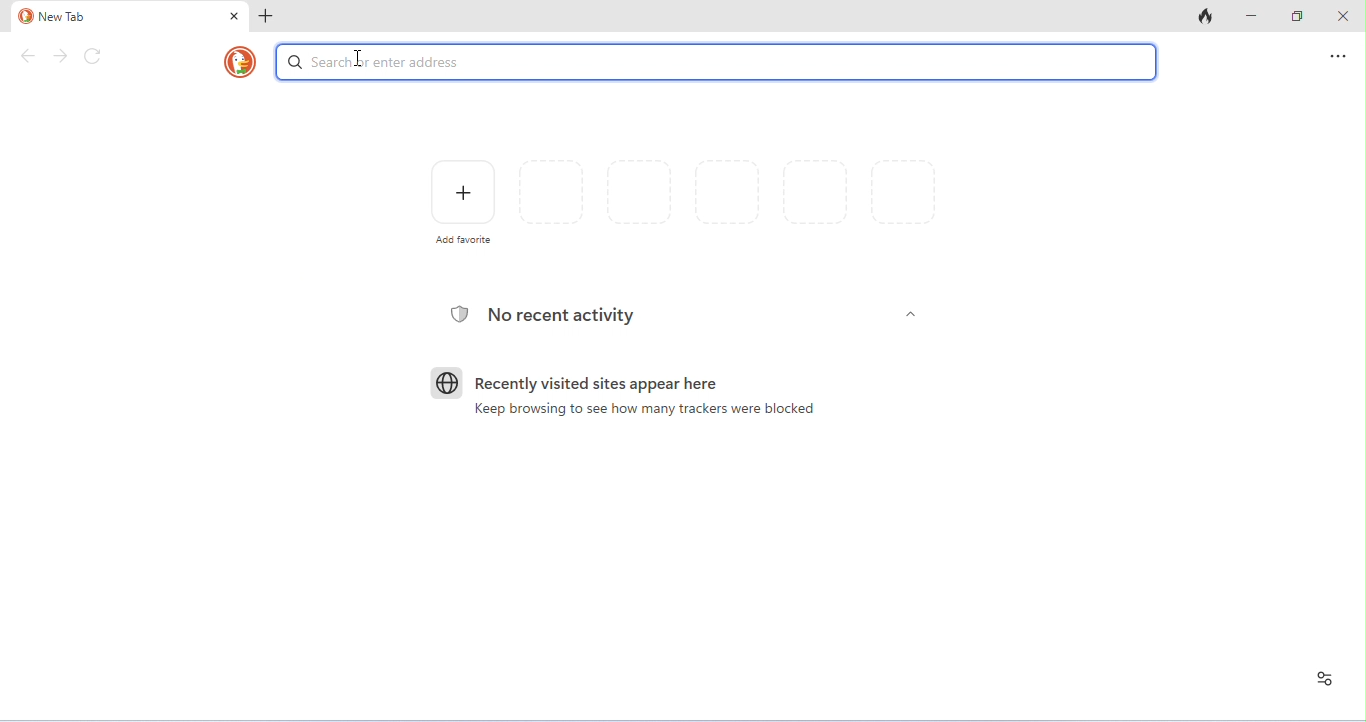  I want to click on close tabs and clear data, so click(1204, 15).